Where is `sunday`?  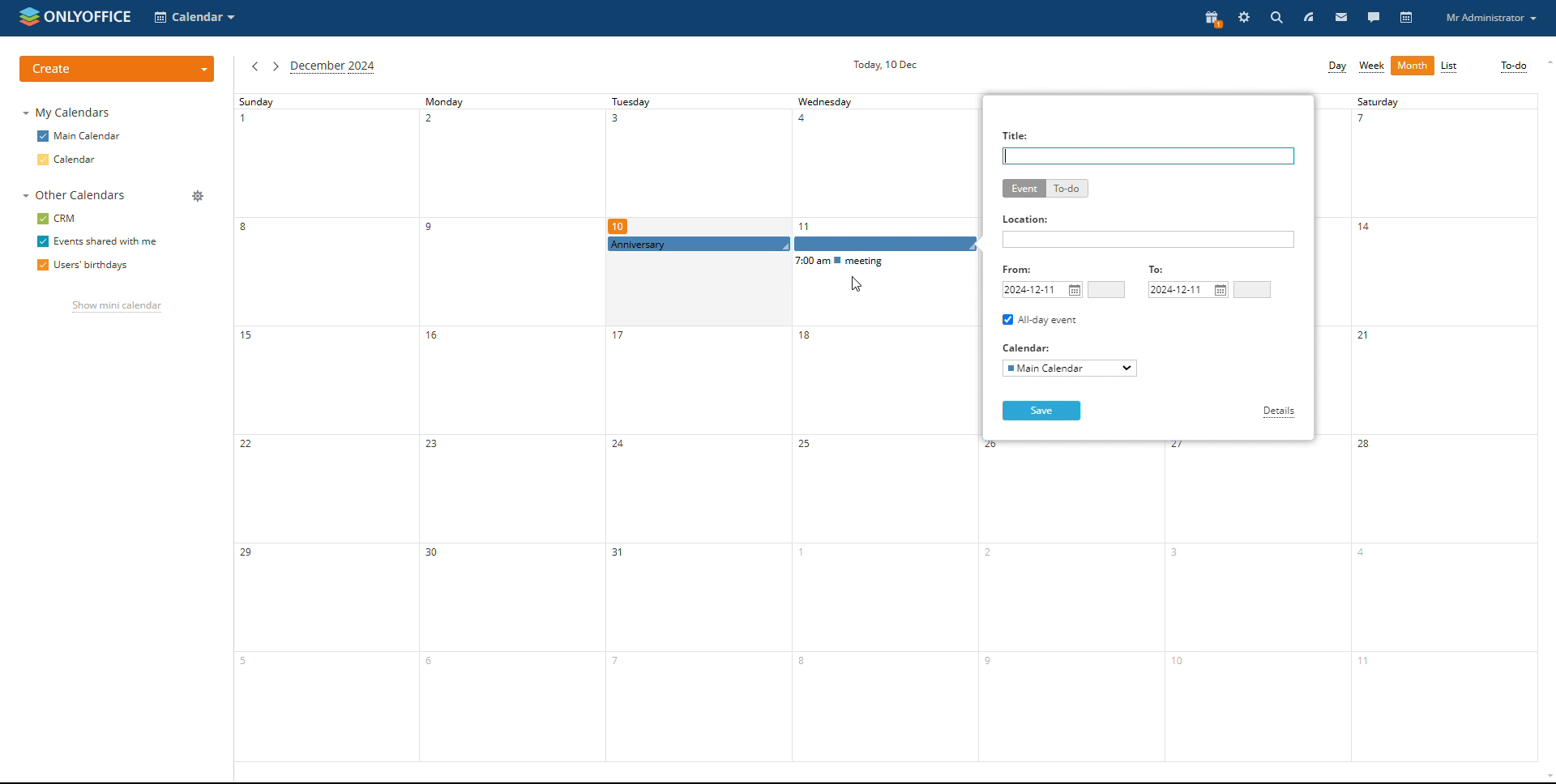 sunday is located at coordinates (325, 428).